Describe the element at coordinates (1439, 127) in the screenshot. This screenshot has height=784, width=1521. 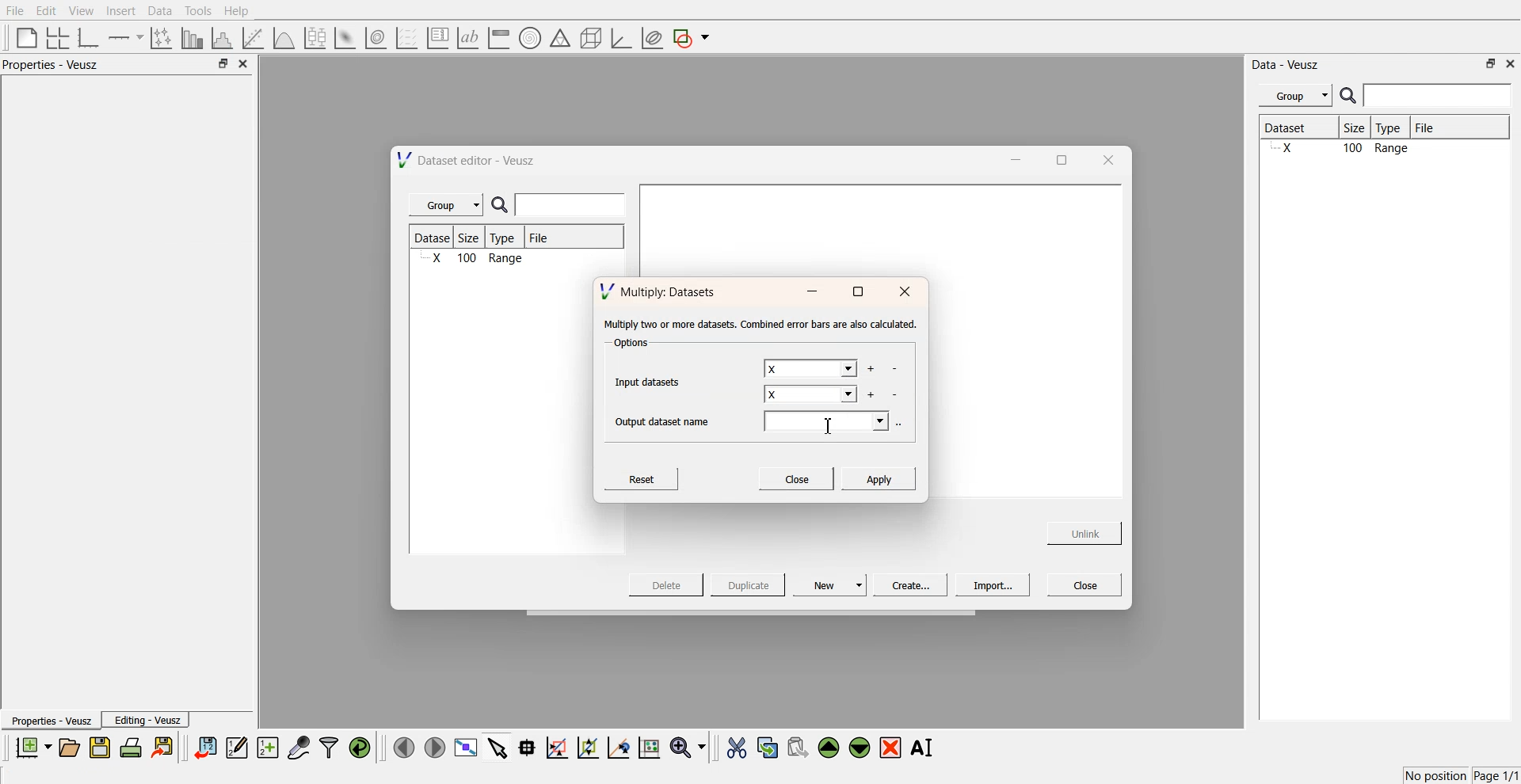
I see `File` at that location.